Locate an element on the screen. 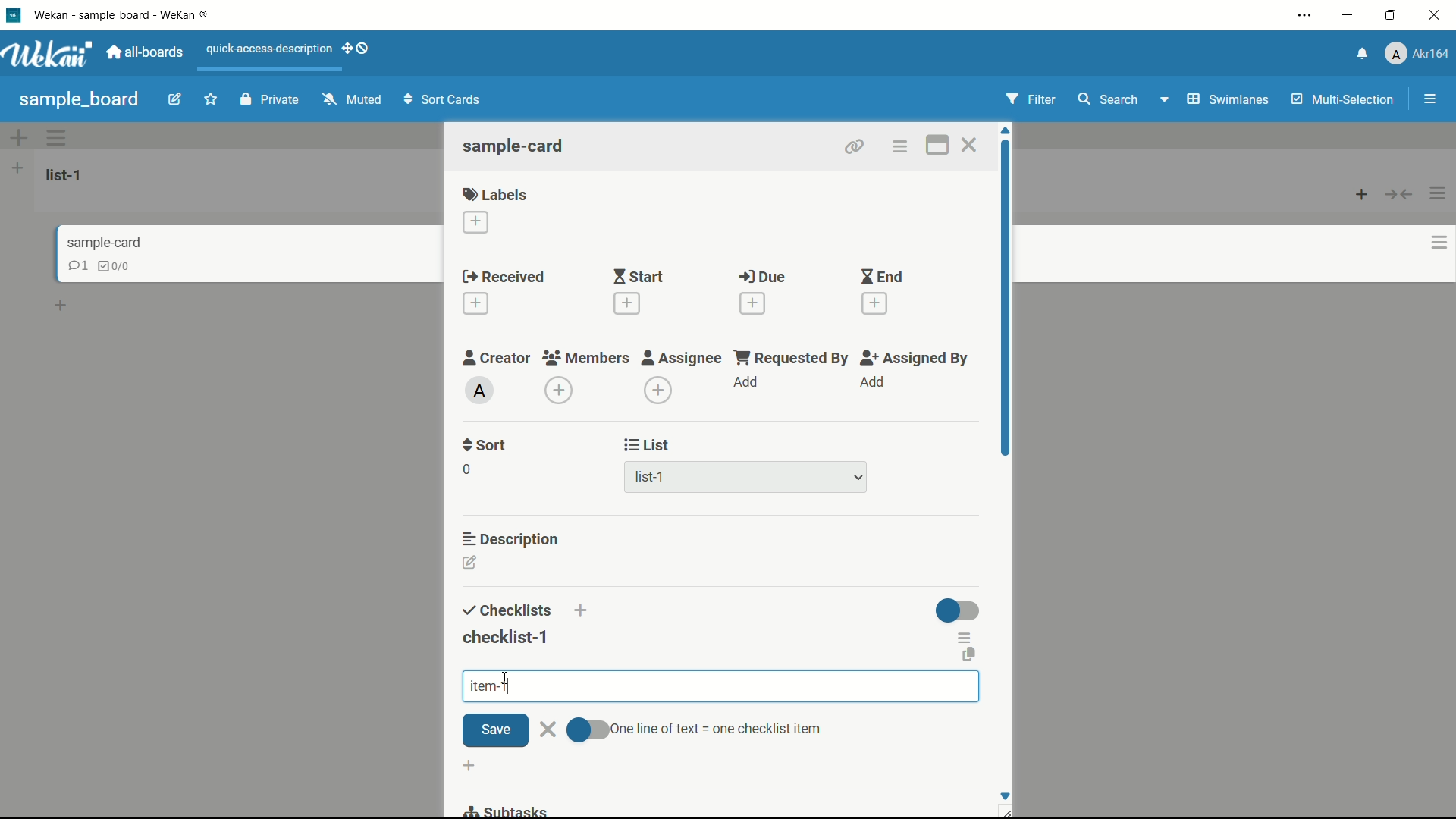 The width and height of the screenshot is (1456, 819). close app is located at coordinates (1438, 16).